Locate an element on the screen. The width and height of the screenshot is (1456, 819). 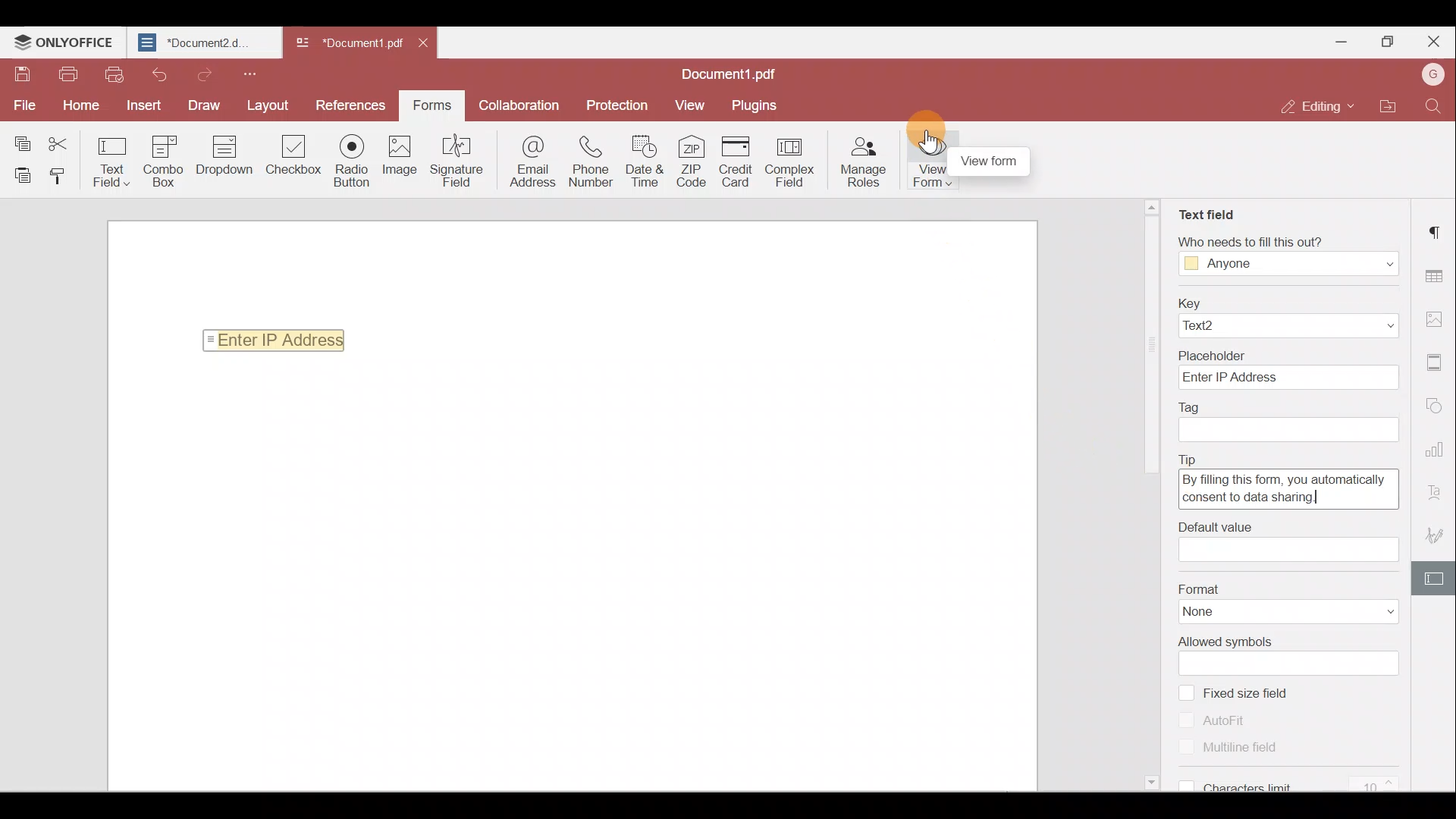
Maximize is located at coordinates (1387, 38).